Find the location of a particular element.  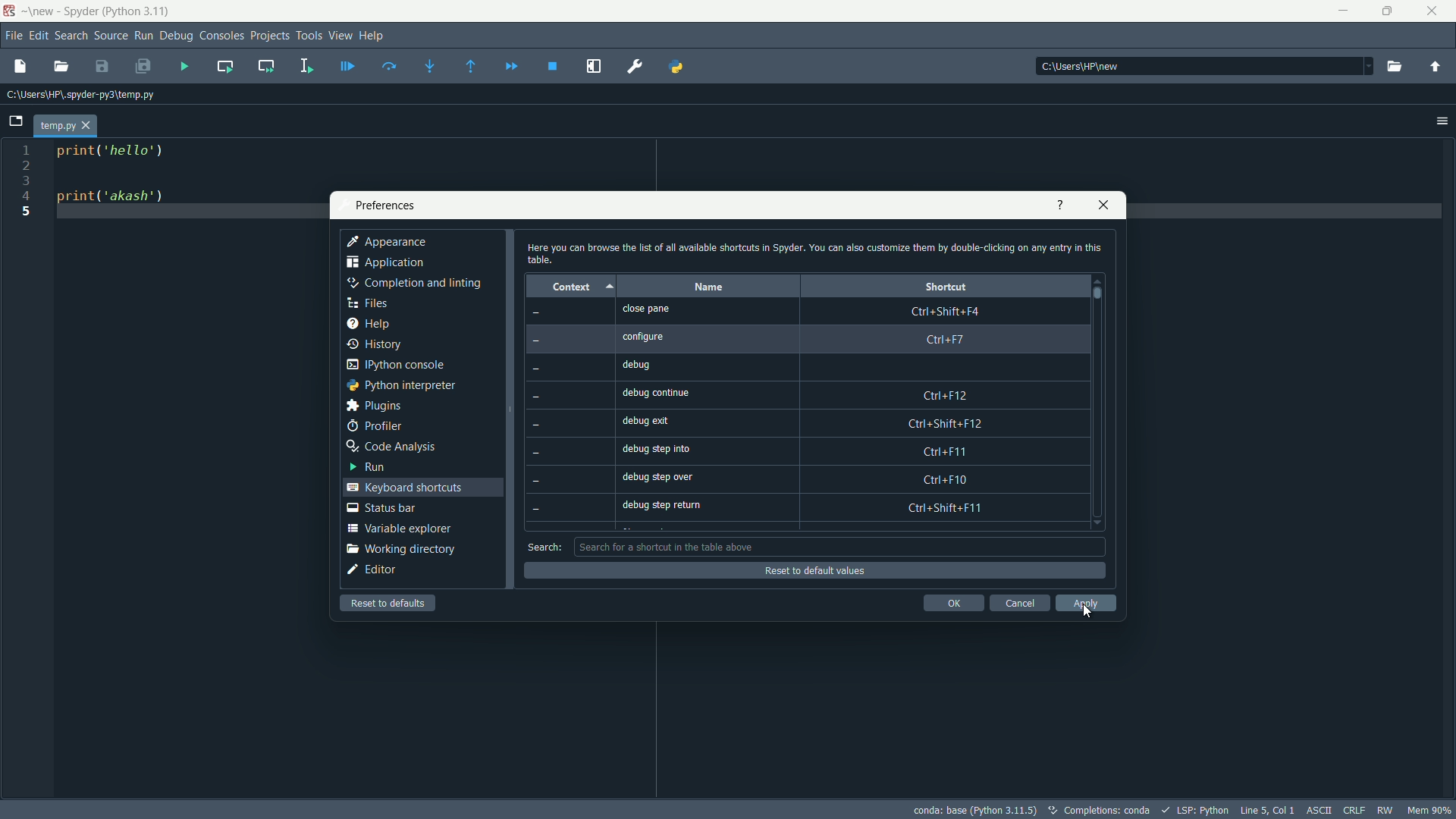

preferences is located at coordinates (381, 206).